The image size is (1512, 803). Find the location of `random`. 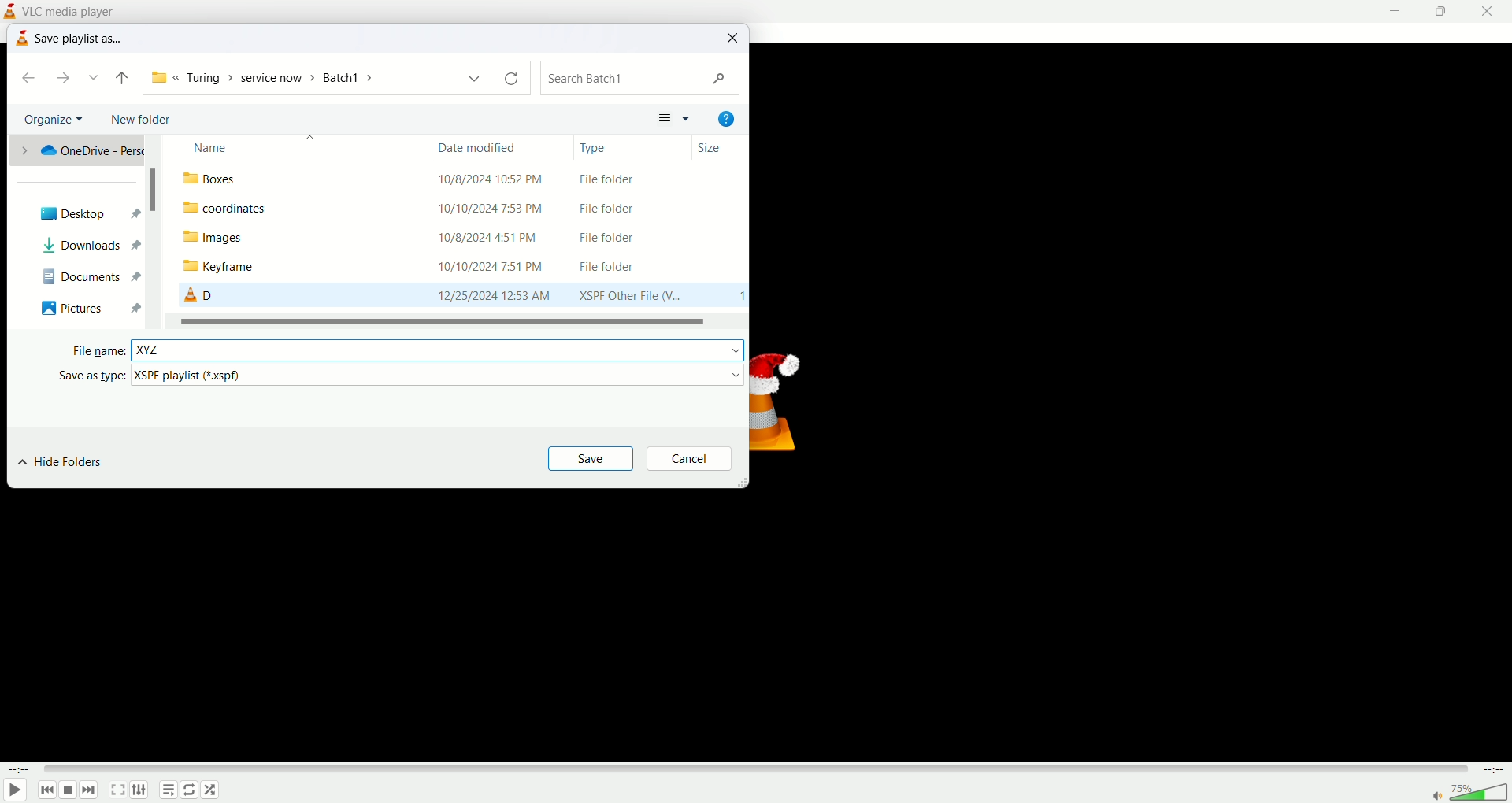

random is located at coordinates (210, 791).